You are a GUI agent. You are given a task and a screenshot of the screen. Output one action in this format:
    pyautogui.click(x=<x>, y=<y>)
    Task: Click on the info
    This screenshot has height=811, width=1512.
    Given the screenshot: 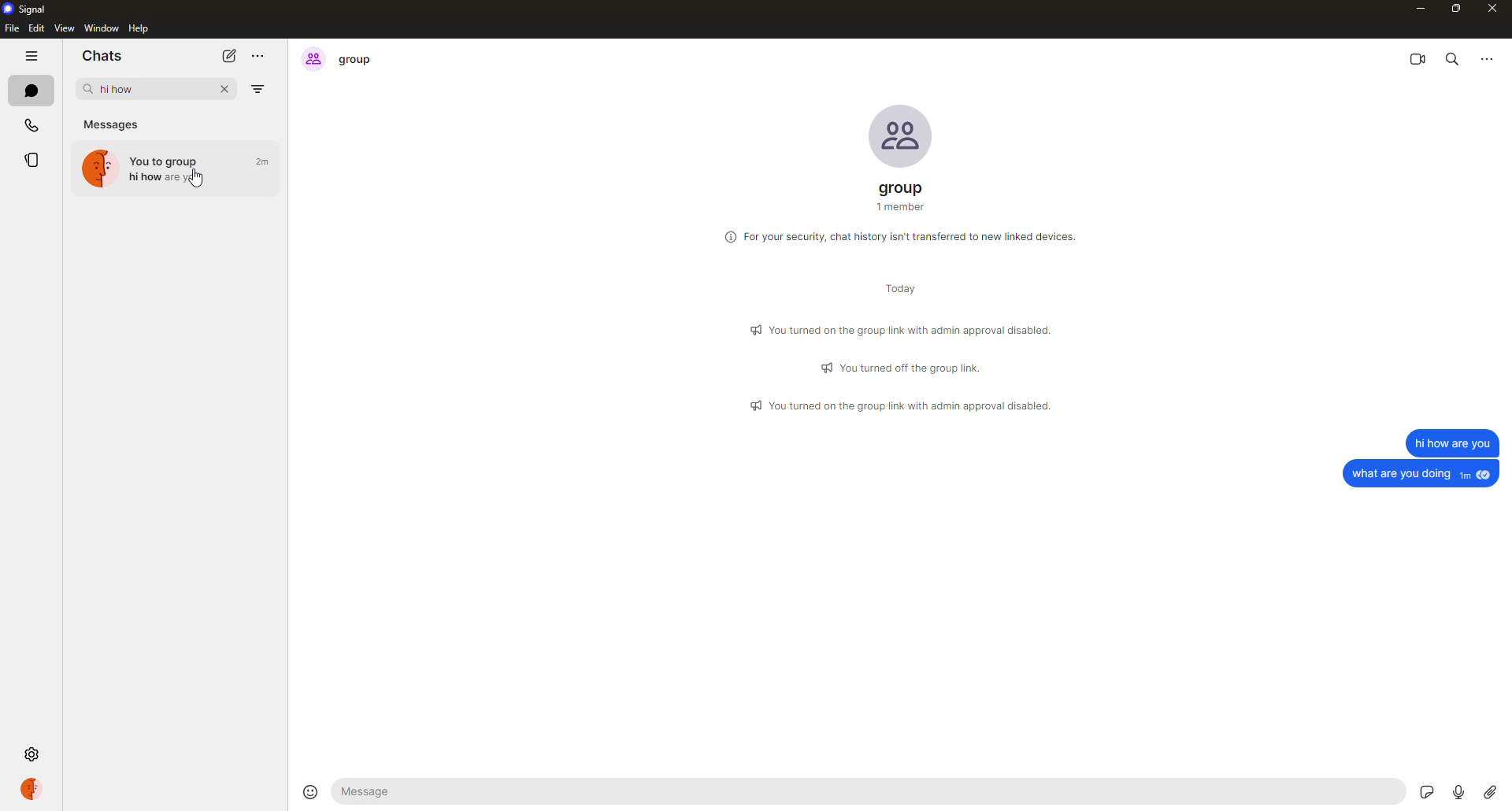 What is the action you would take?
    pyautogui.click(x=903, y=235)
    